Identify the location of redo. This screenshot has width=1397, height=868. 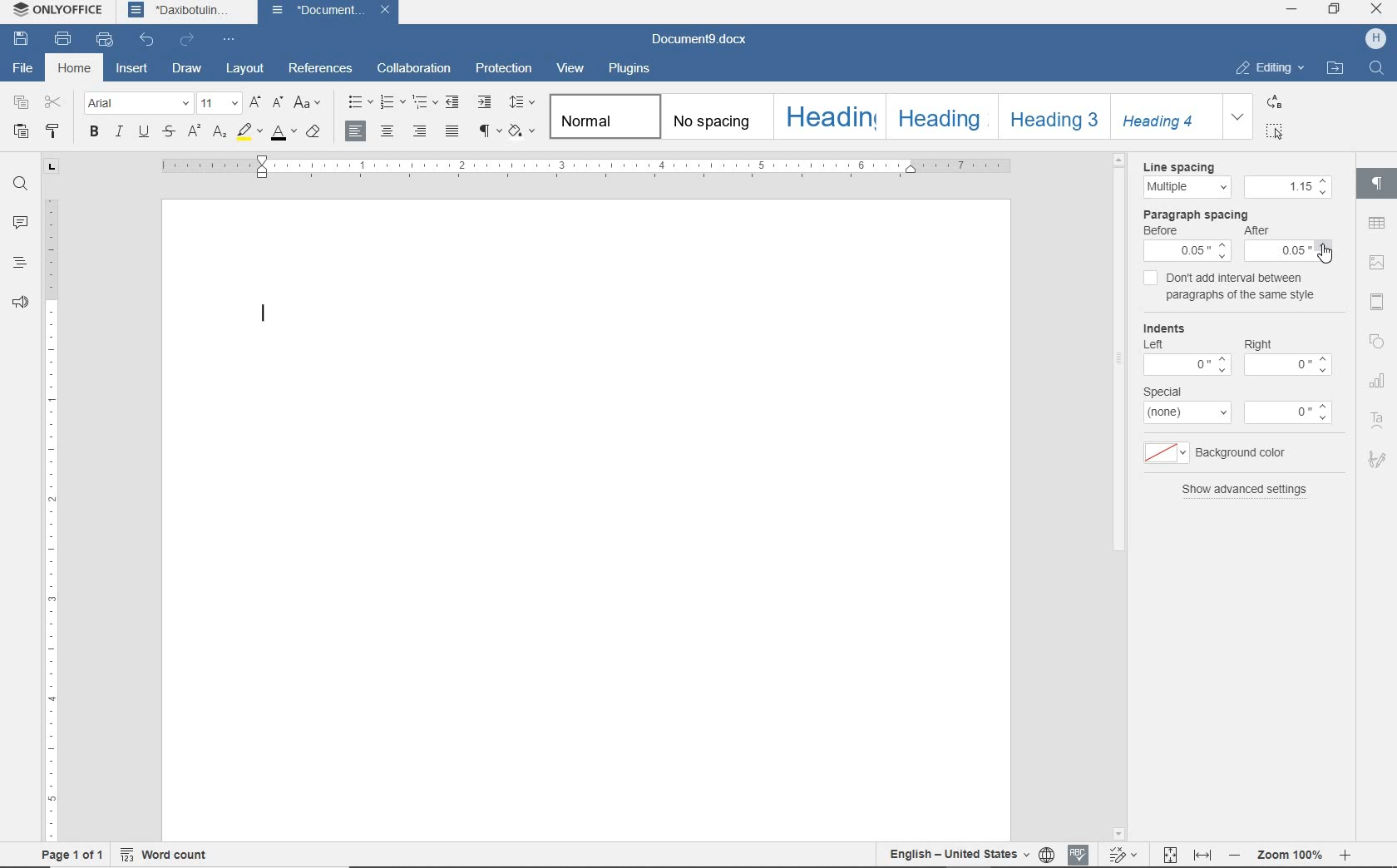
(187, 41).